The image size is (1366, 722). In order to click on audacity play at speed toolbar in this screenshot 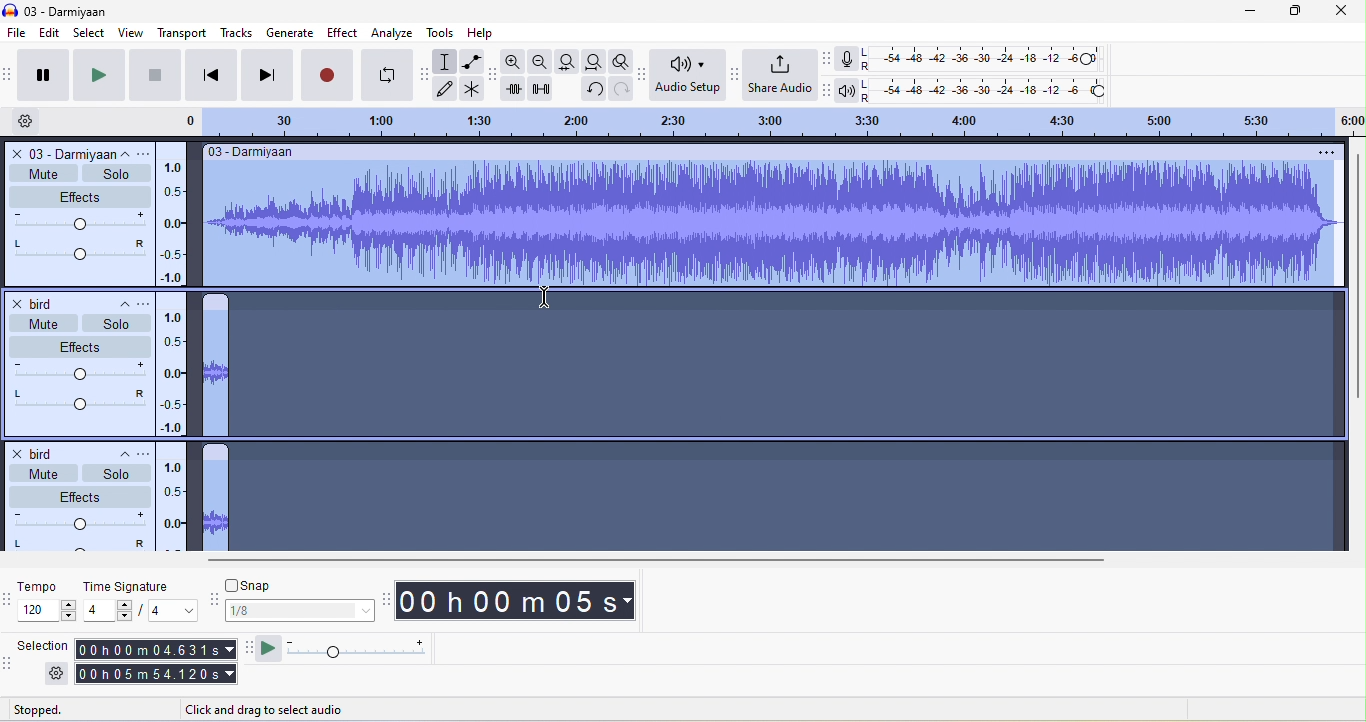, I will do `click(248, 649)`.